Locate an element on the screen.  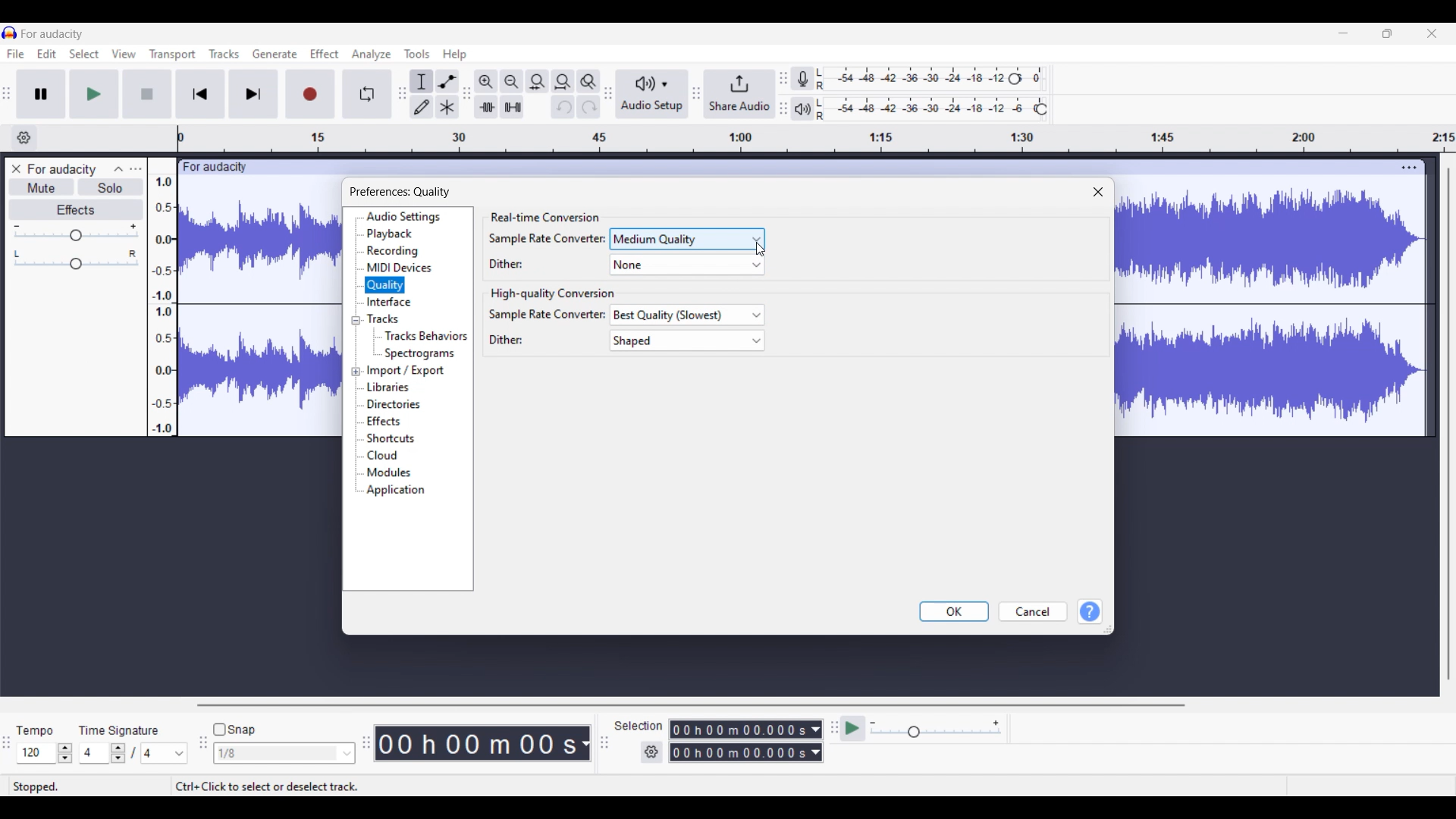
cursor is located at coordinates (761, 252).